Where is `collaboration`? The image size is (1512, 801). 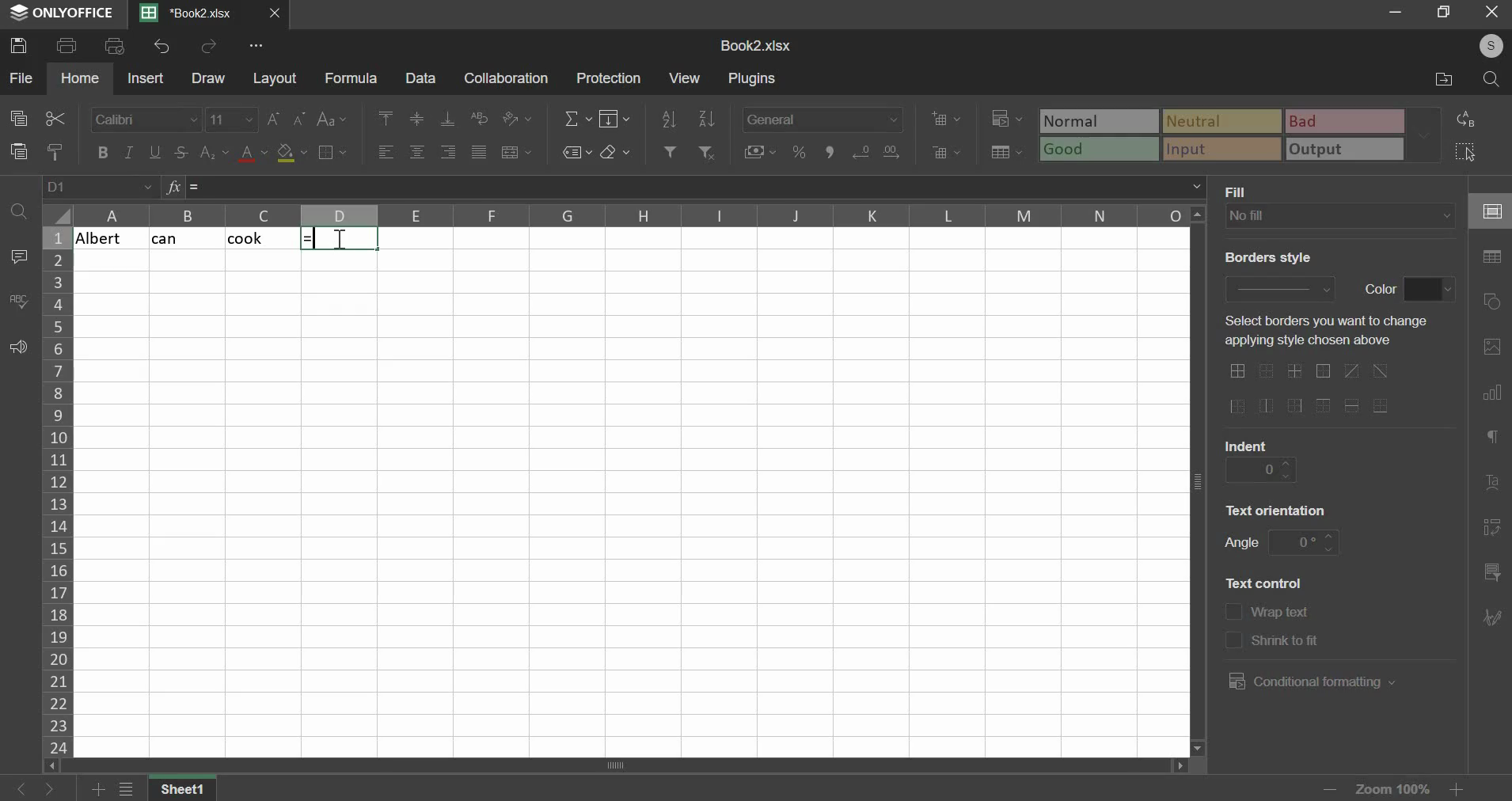
collaboration is located at coordinates (507, 79).